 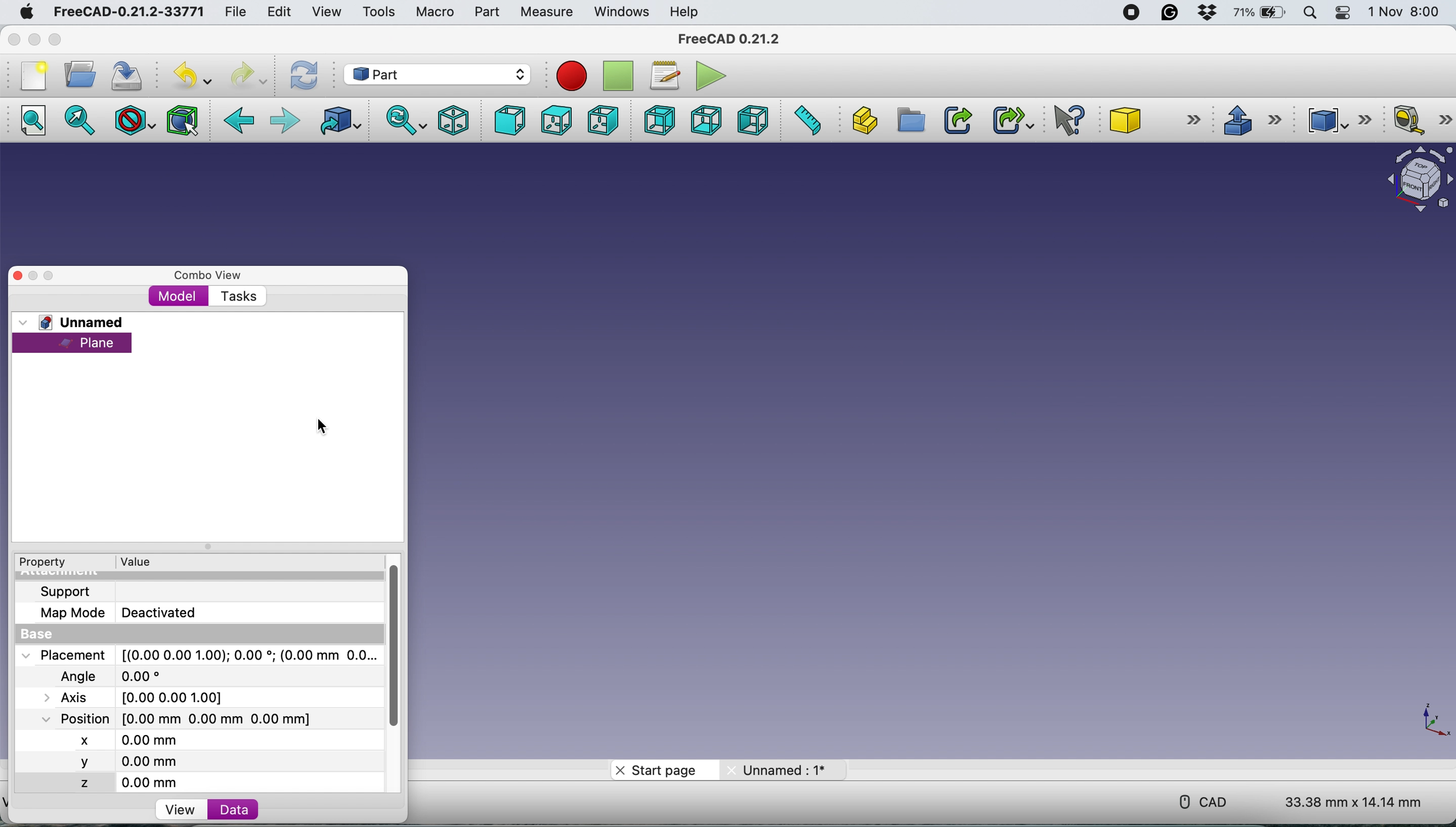 What do you see at coordinates (1262, 13) in the screenshot?
I see `battery` at bounding box center [1262, 13].